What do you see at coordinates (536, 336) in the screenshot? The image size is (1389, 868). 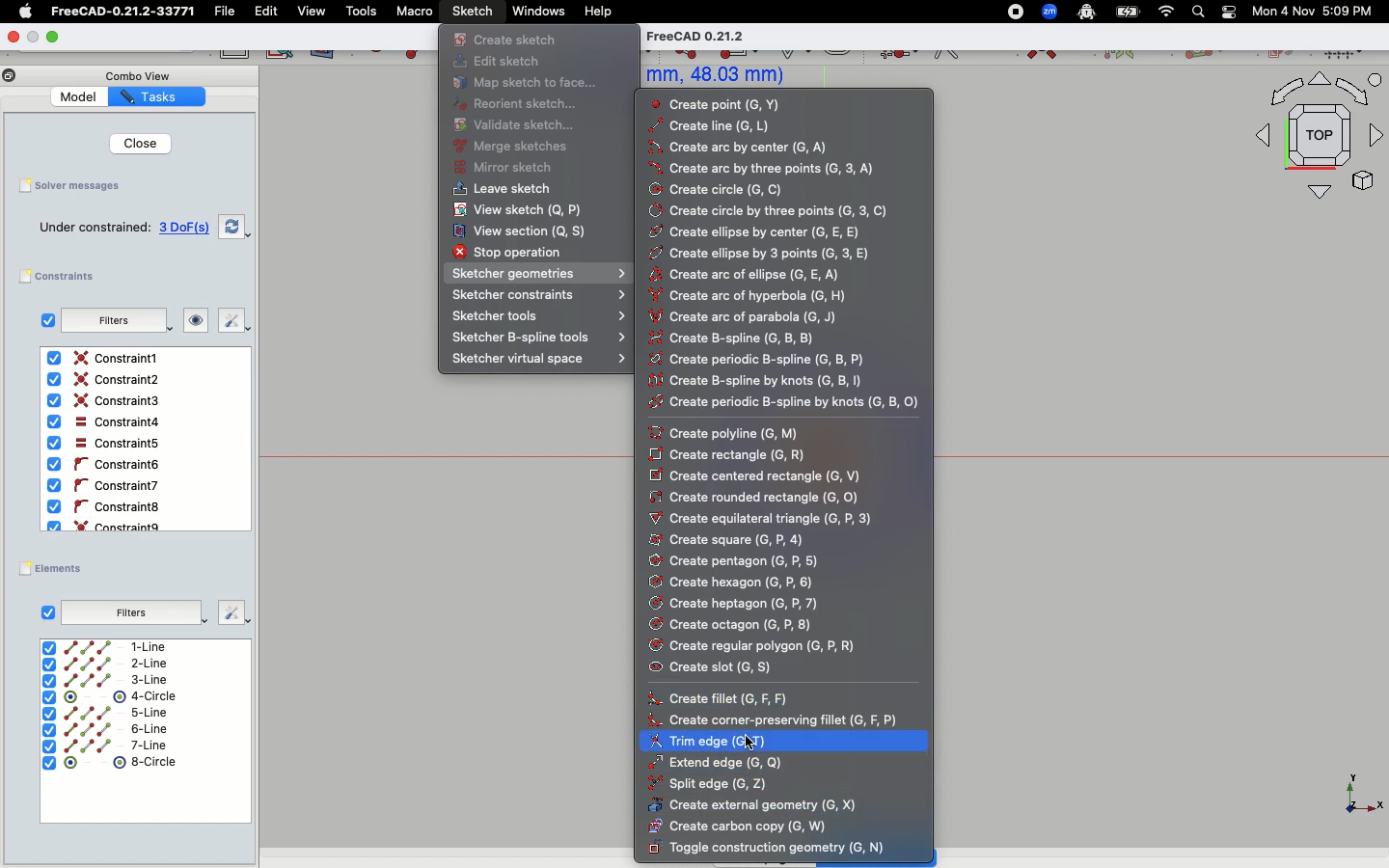 I see `Sketcher B-spline tools` at bounding box center [536, 336].